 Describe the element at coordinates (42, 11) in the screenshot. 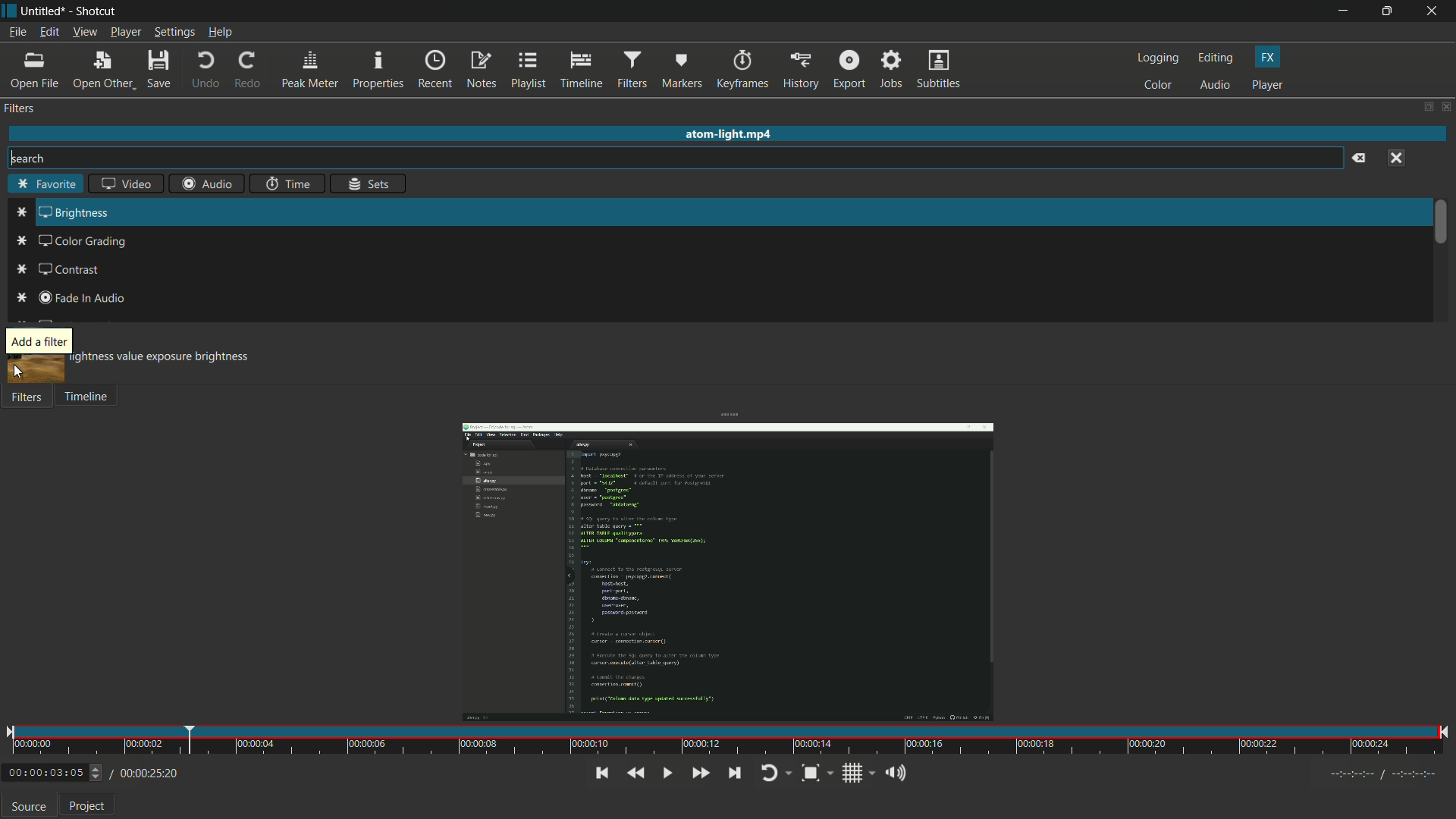

I see `file name` at that location.